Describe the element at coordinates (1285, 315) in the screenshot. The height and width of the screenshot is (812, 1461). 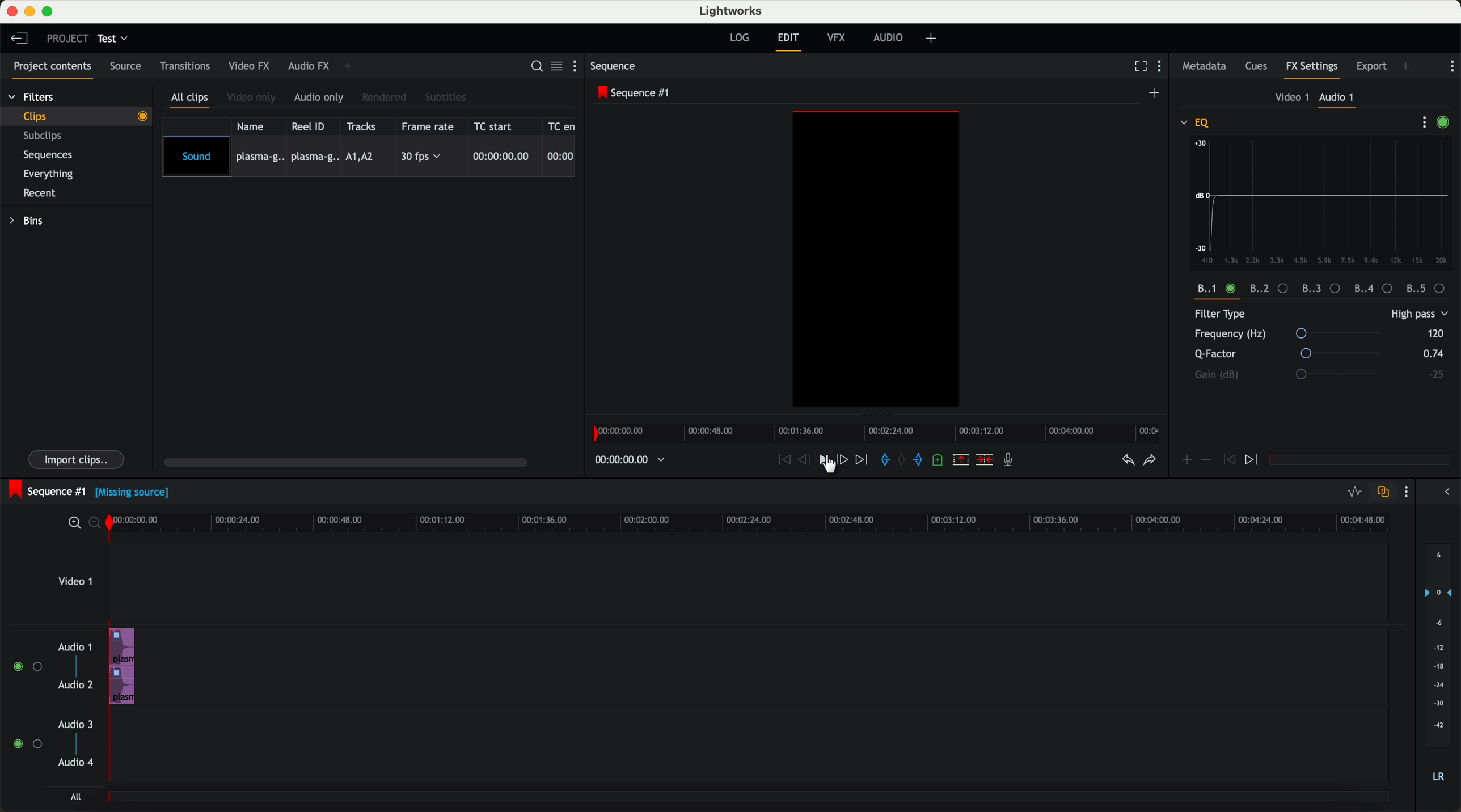
I see `filter type` at that location.